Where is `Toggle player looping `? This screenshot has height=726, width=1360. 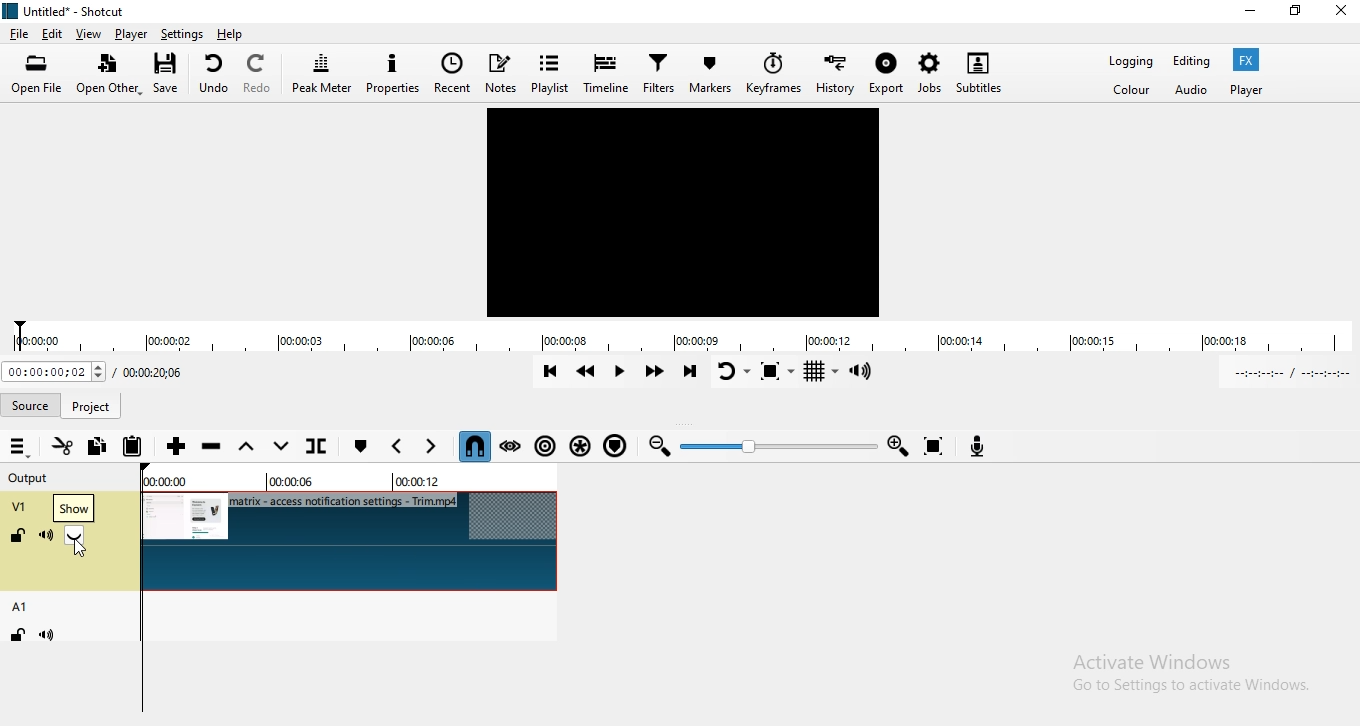 Toggle player looping  is located at coordinates (734, 375).